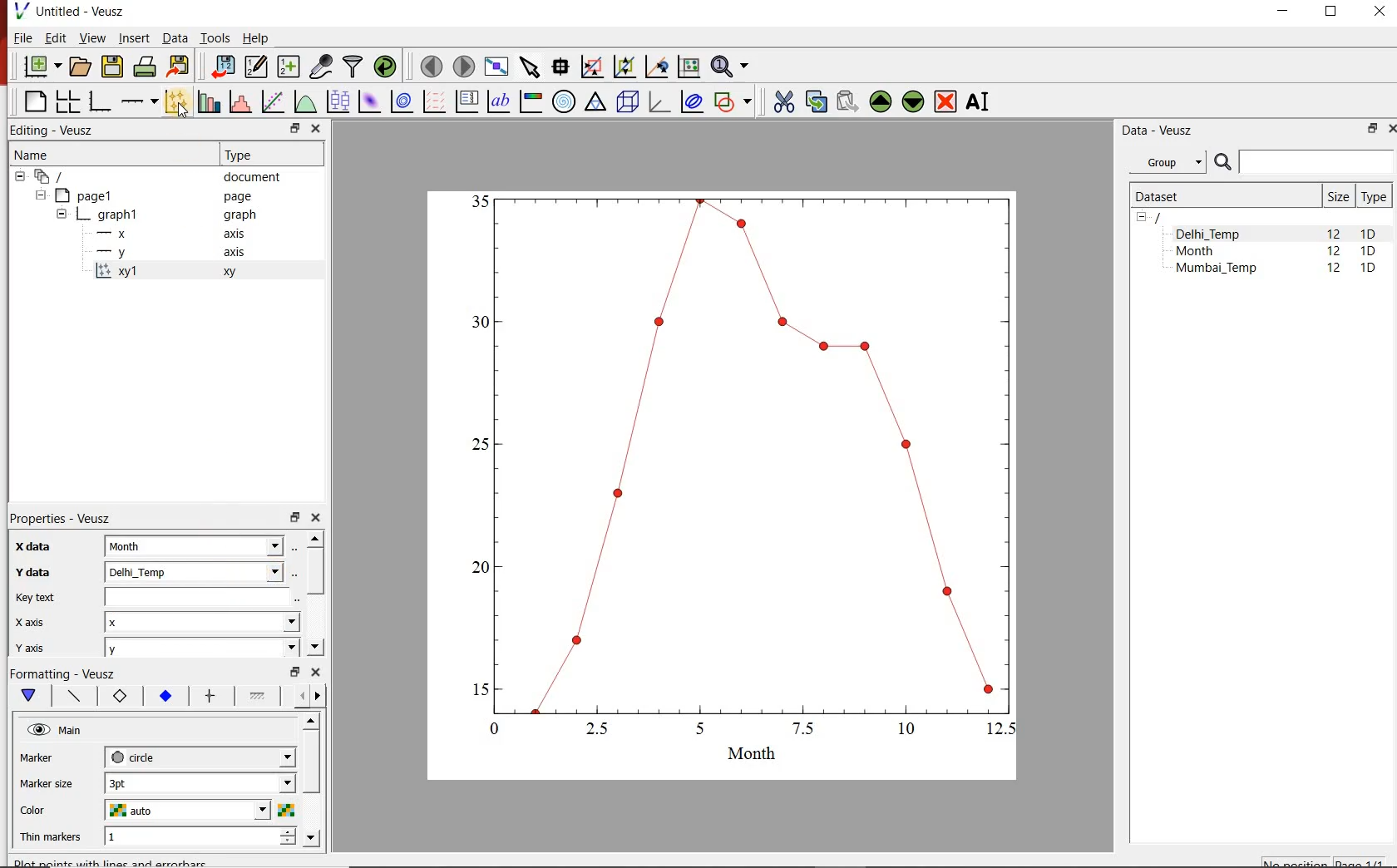  What do you see at coordinates (353, 67) in the screenshot?
I see `filter data` at bounding box center [353, 67].